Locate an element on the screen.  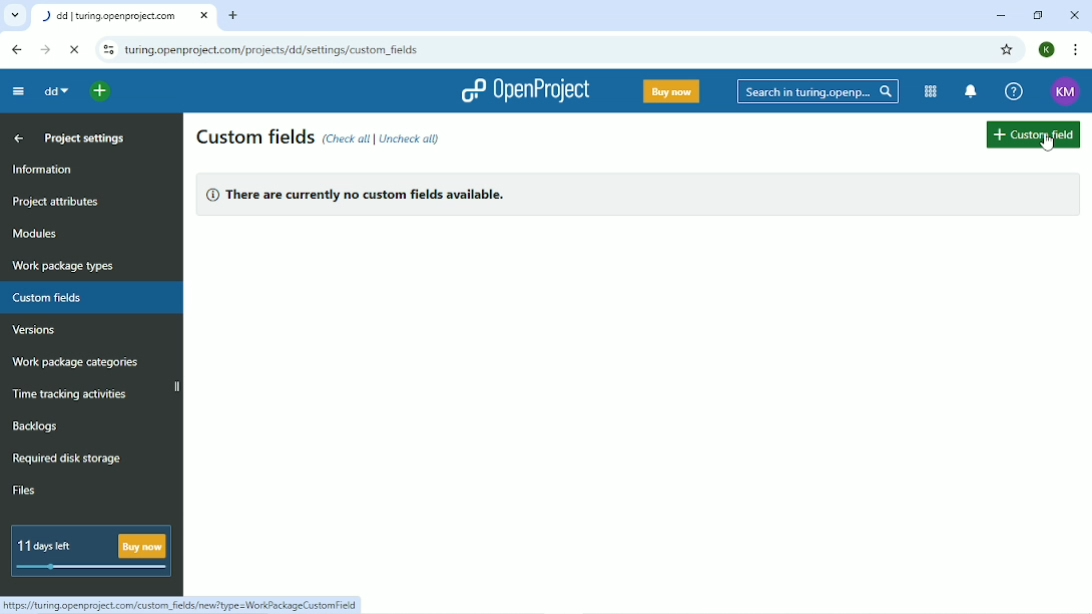
Backlogs is located at coordinates (36, 426).